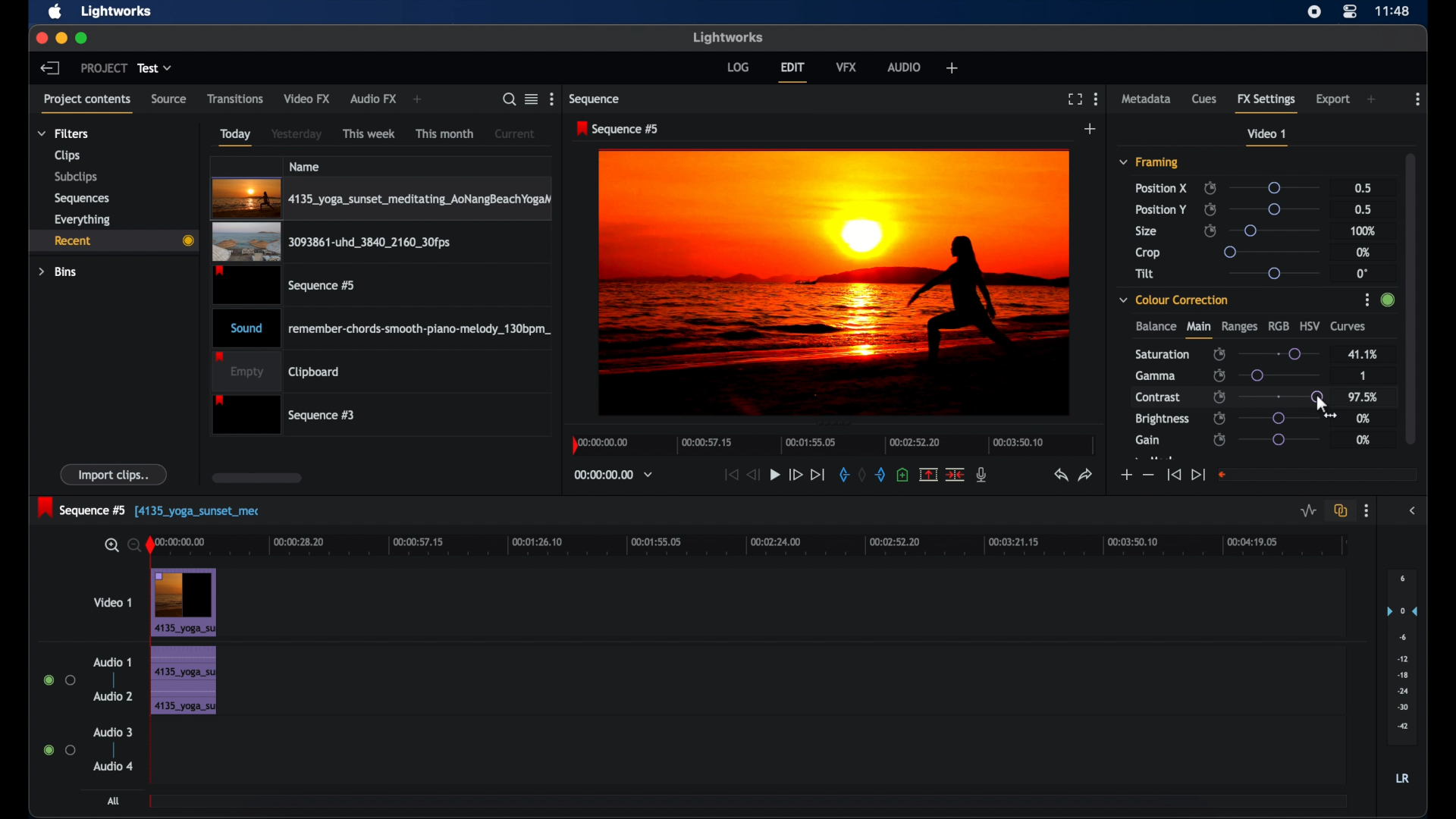 This screenshot has width=1456, height=819. Describe the element at coordinates (114, 801) in the screenshot. I see `all` at that location.